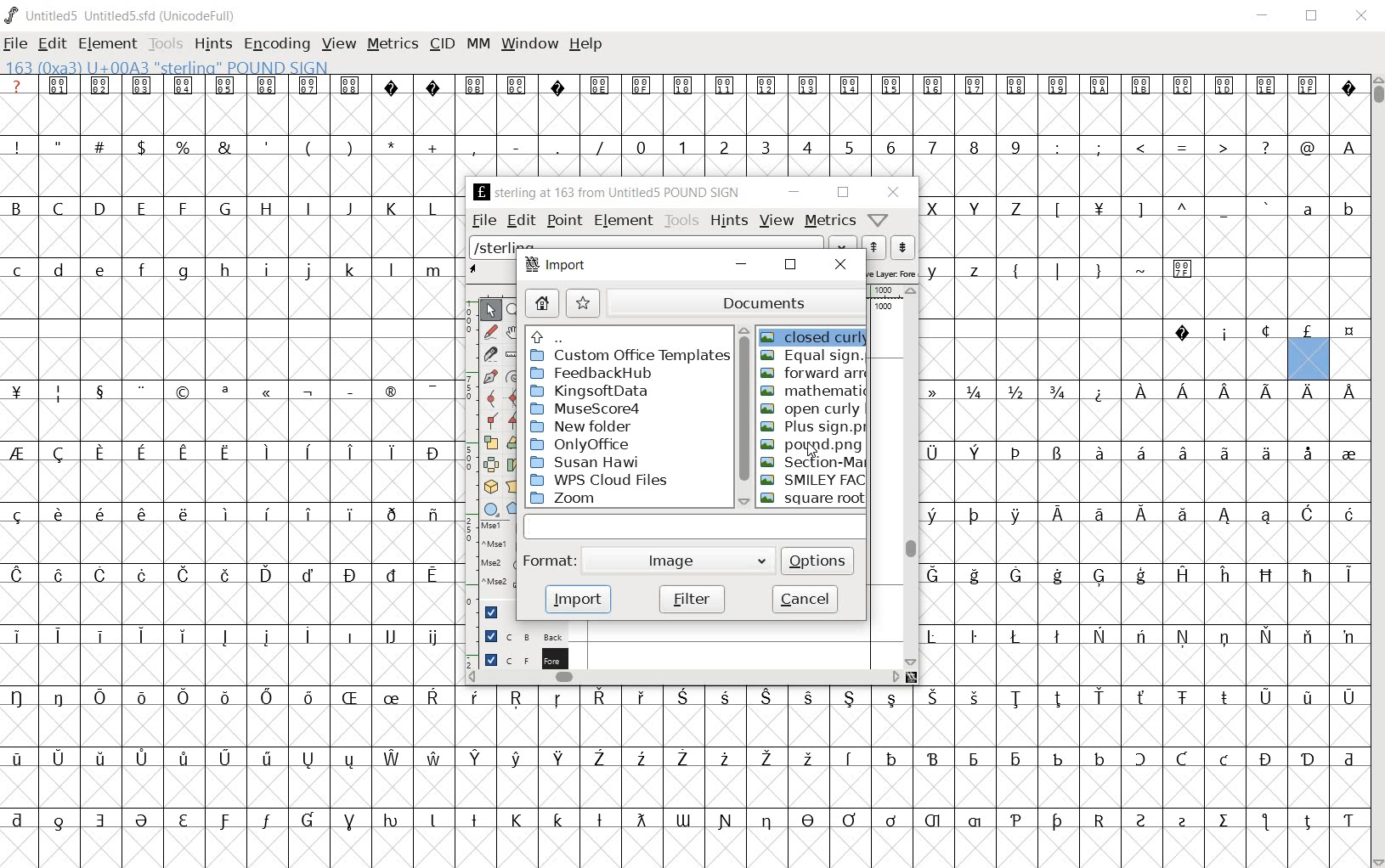 Image resolution: width=1385 pixels, height=868 pixels. What do you see at coordinates (733, 302) in the screenshot?
I see `documents` at bounding box center [733, 302].